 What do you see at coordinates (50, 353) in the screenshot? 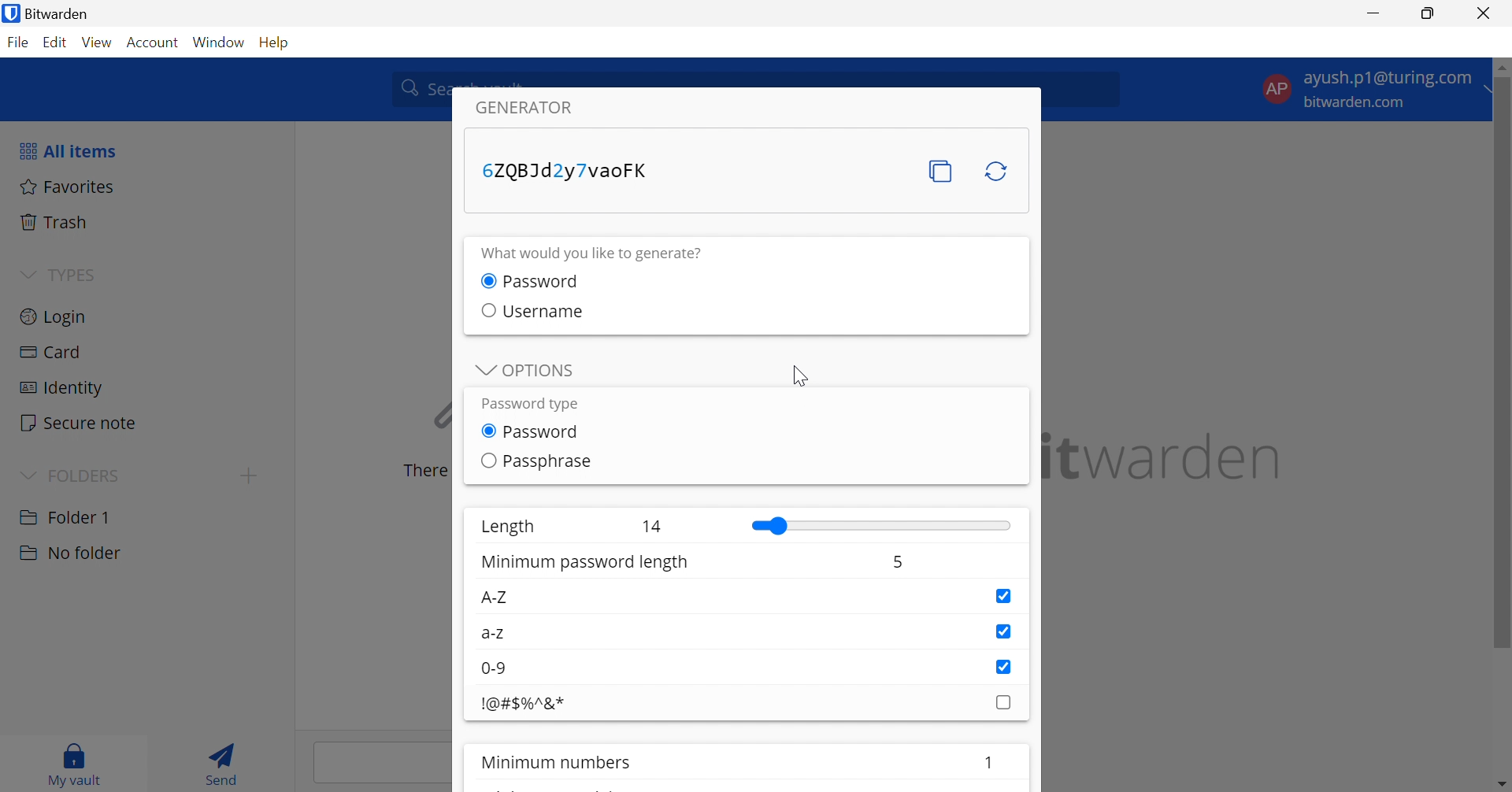
I see `Card` at bounding box center [50, 353].